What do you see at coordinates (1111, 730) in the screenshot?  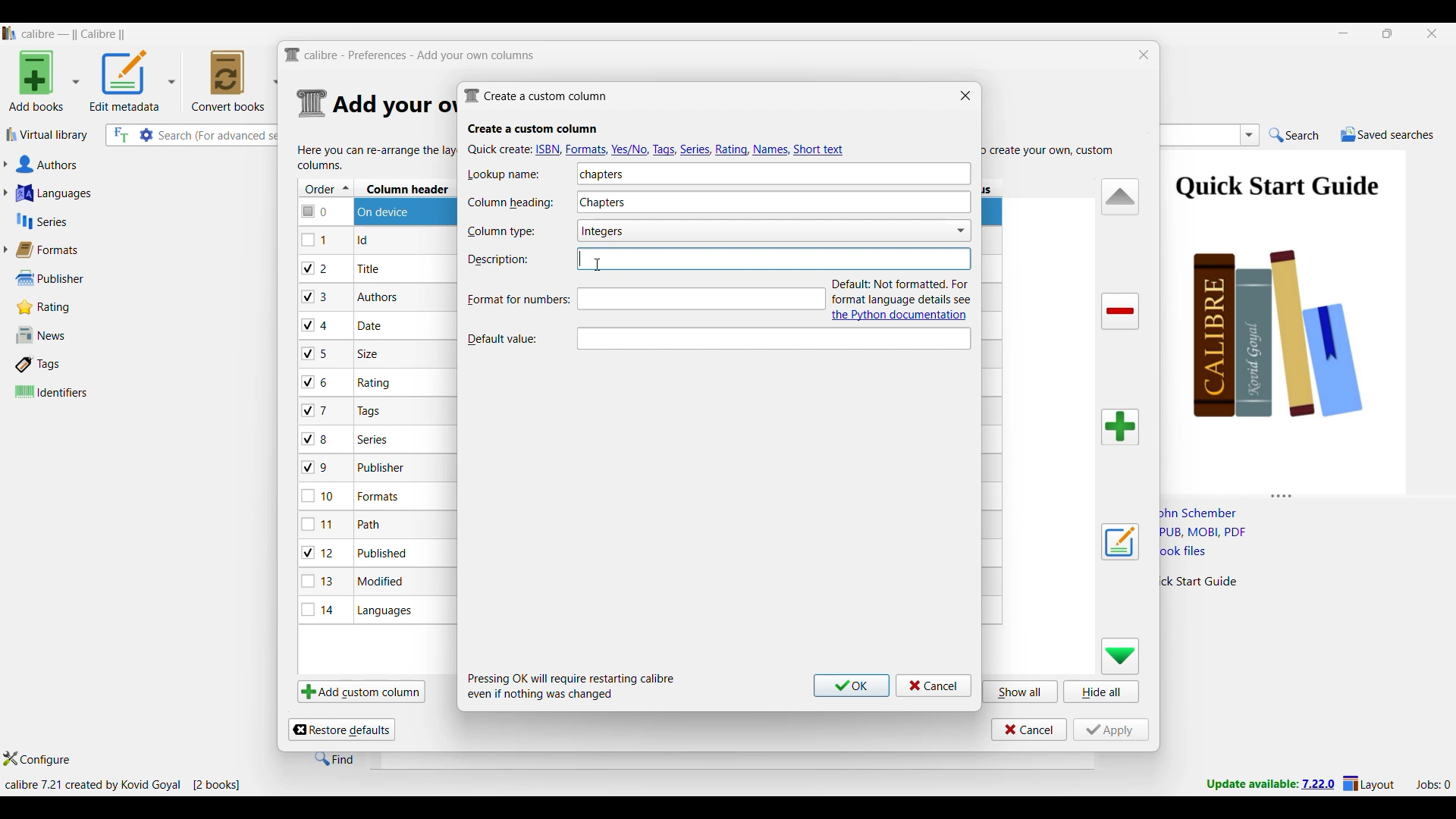 I see `Apply` at bounding box center [1111, 730].